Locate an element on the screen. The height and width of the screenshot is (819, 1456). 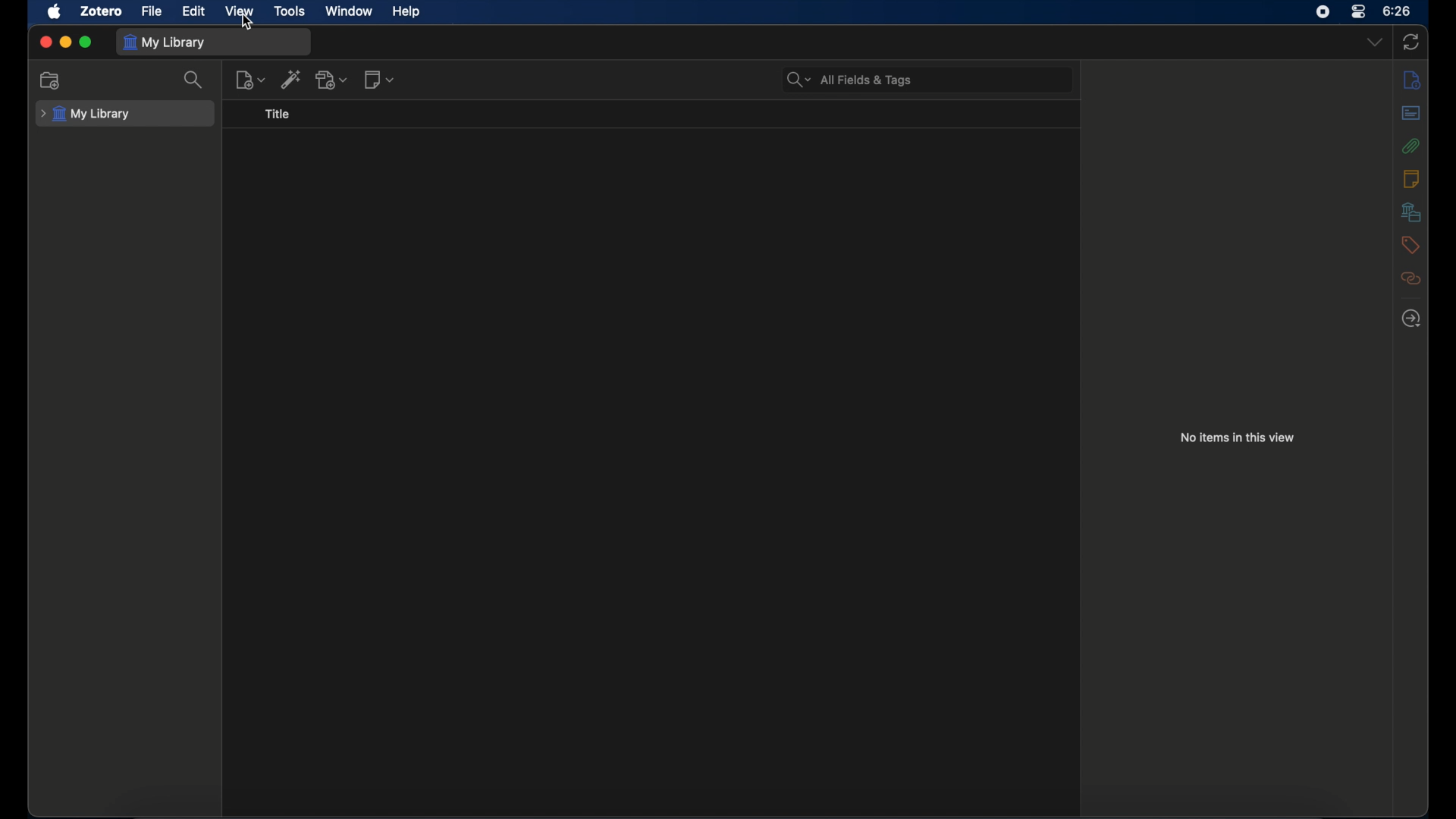
add item by identifier is located at coordinates (291, 79).